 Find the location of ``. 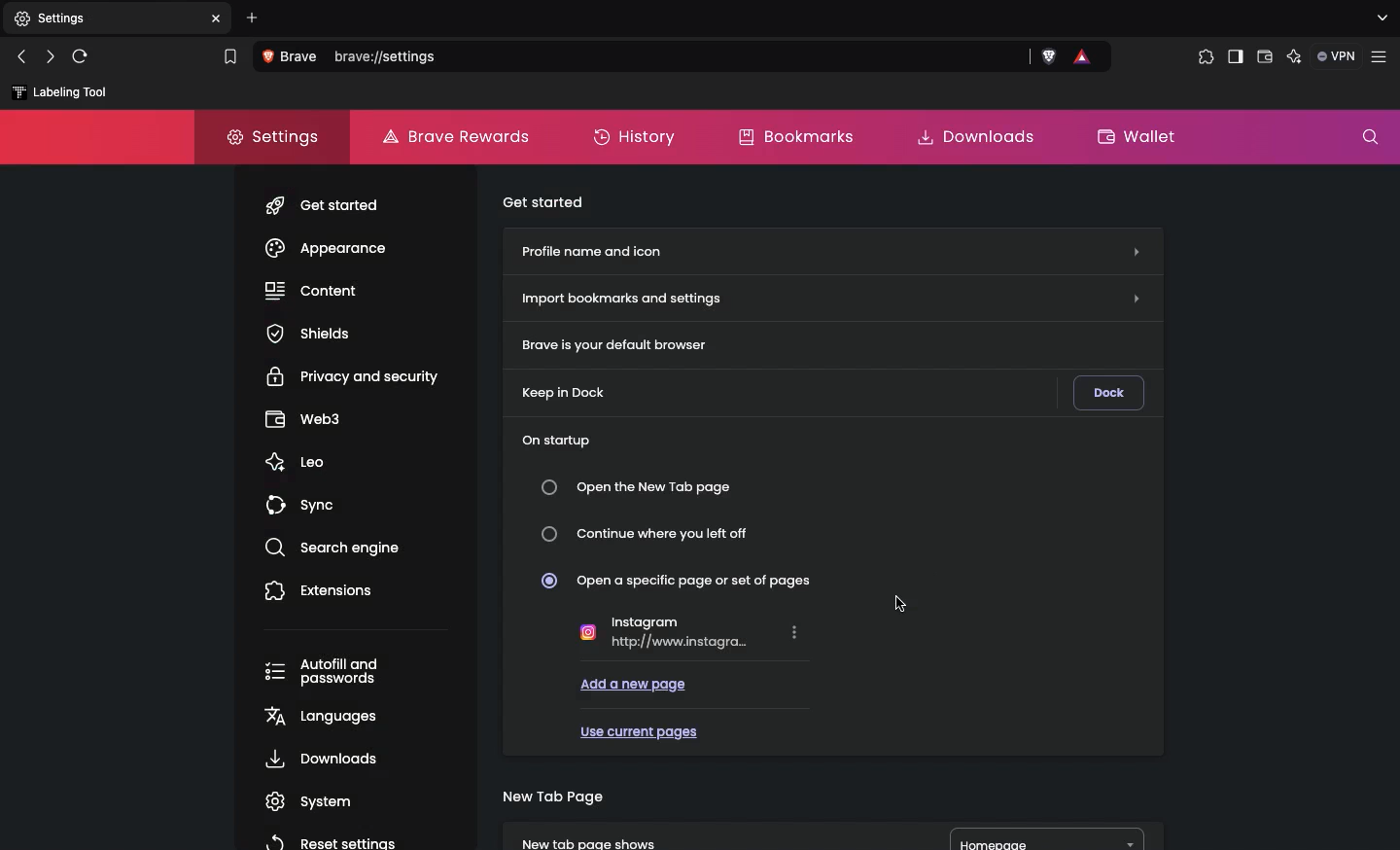

 is located at coordinates (219, 18).